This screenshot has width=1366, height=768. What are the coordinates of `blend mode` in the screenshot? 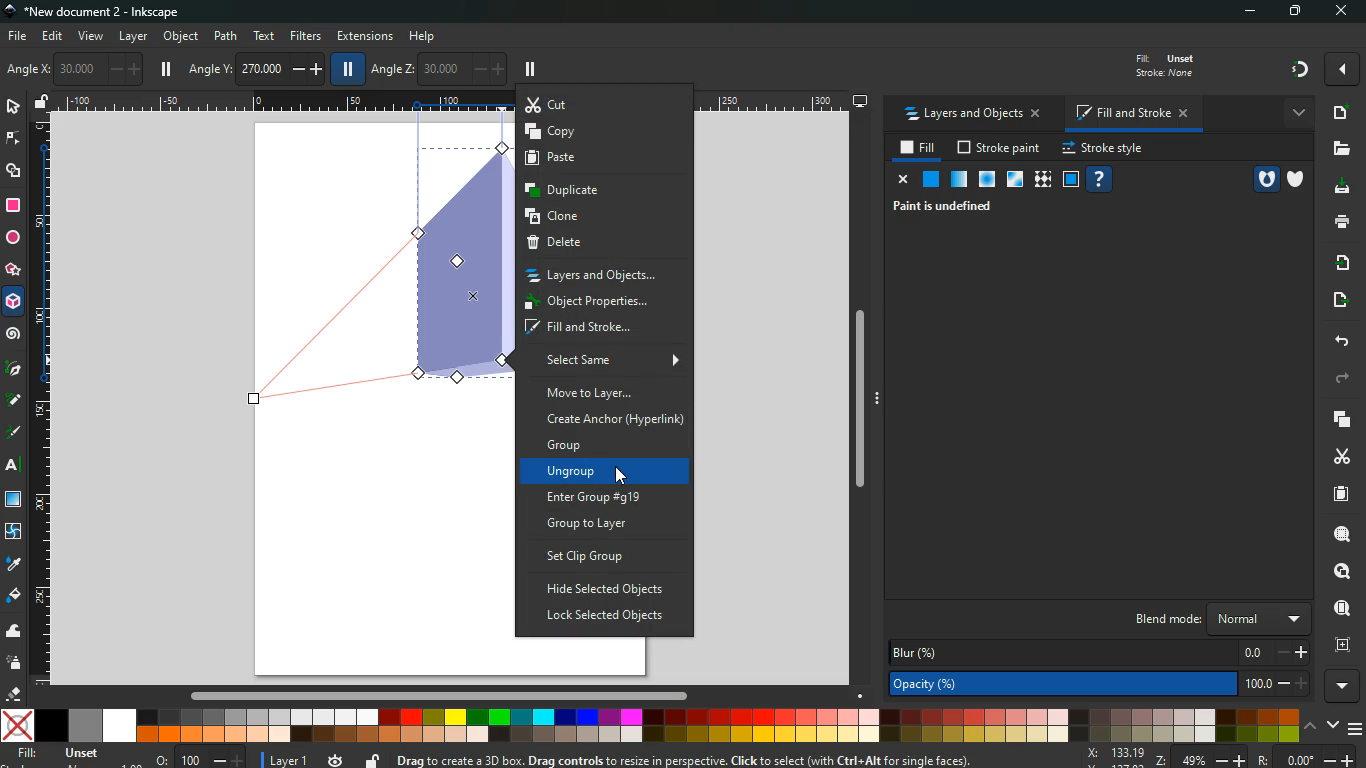 It's located at (1211, 619).